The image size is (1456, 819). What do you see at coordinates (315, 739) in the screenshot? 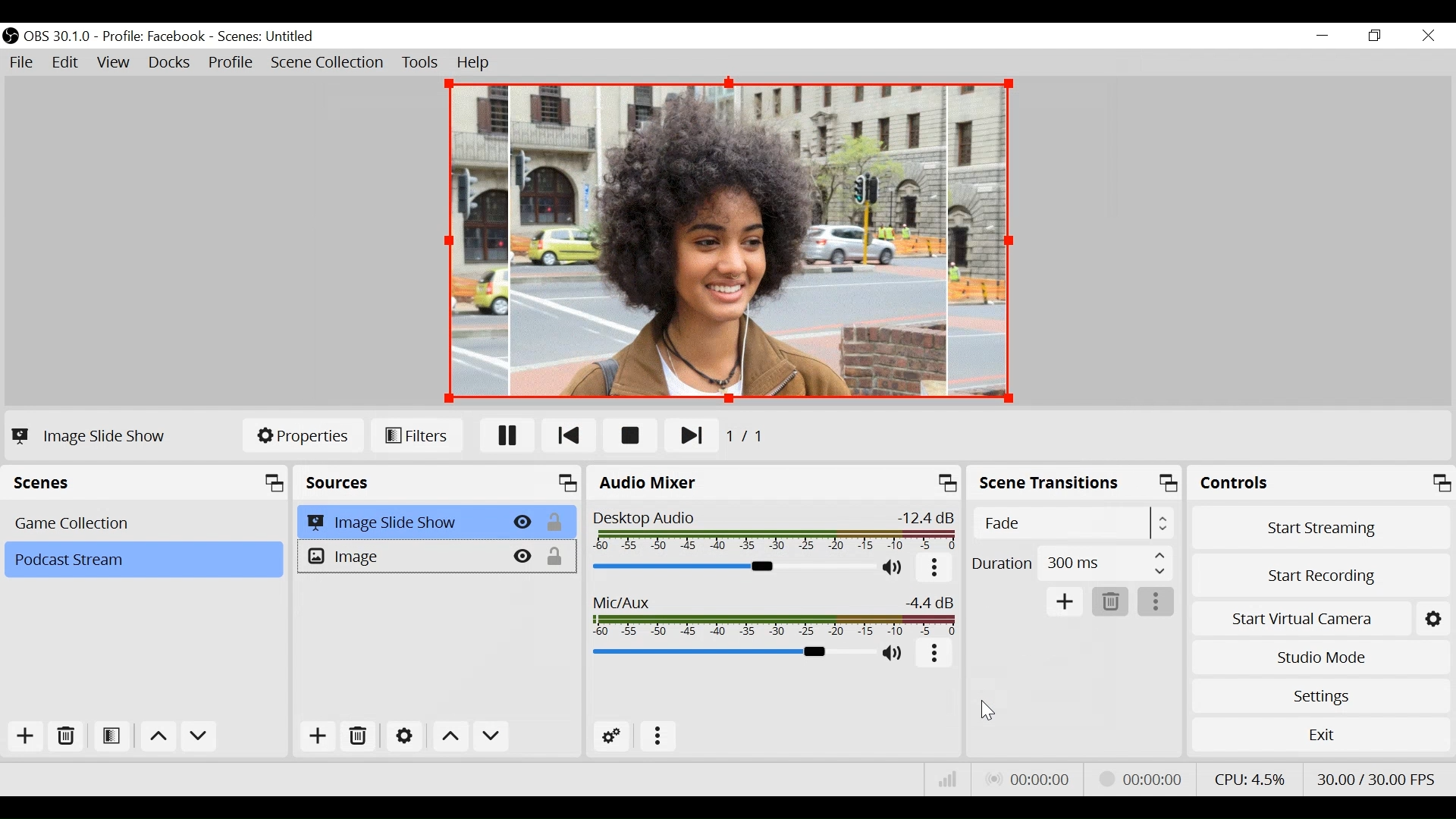
I see `Add` at bounding box center [315, 739].